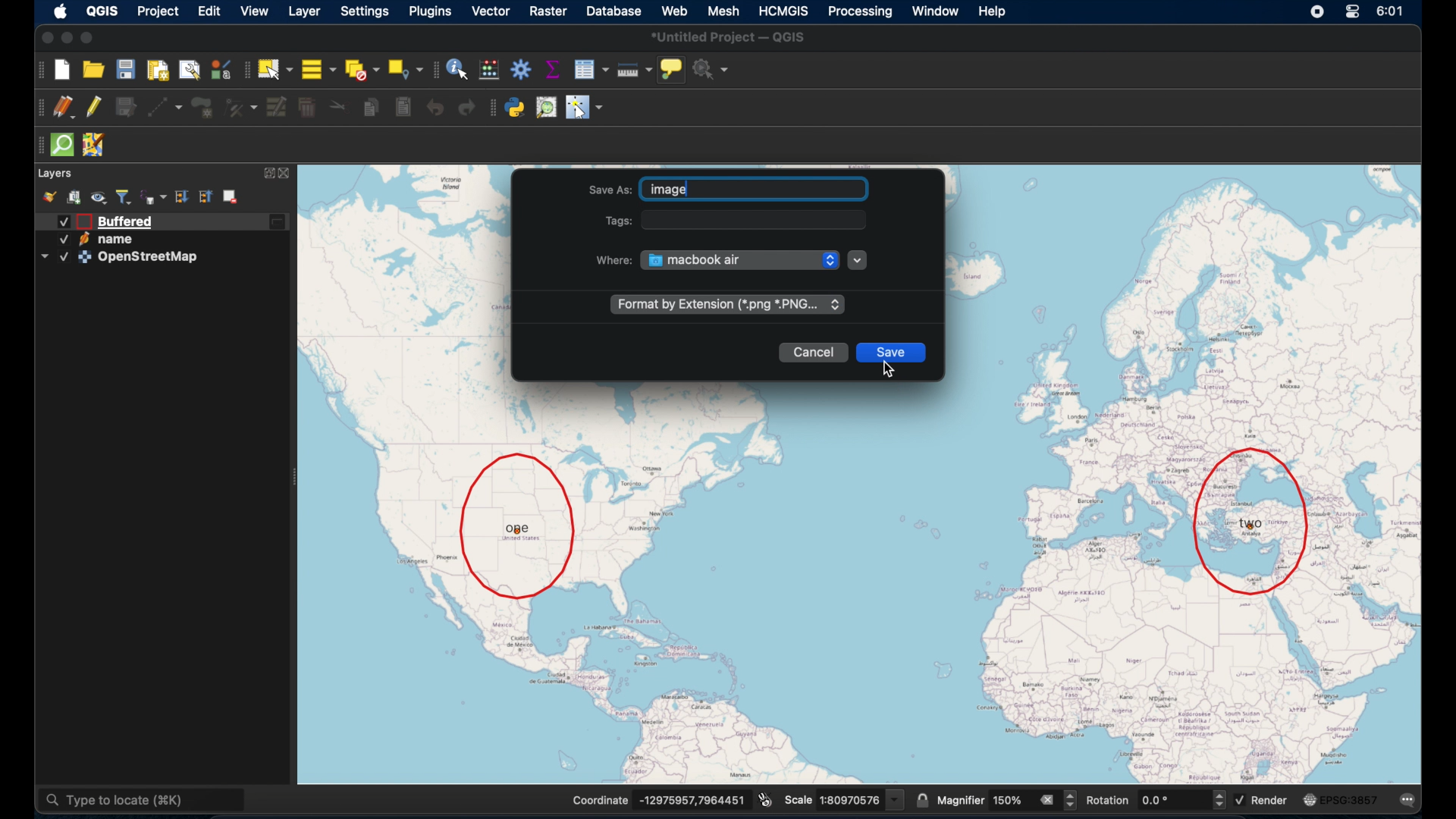  Describe the element at coordinates (83, 221) in the screenshot. I see `icon` at that location.